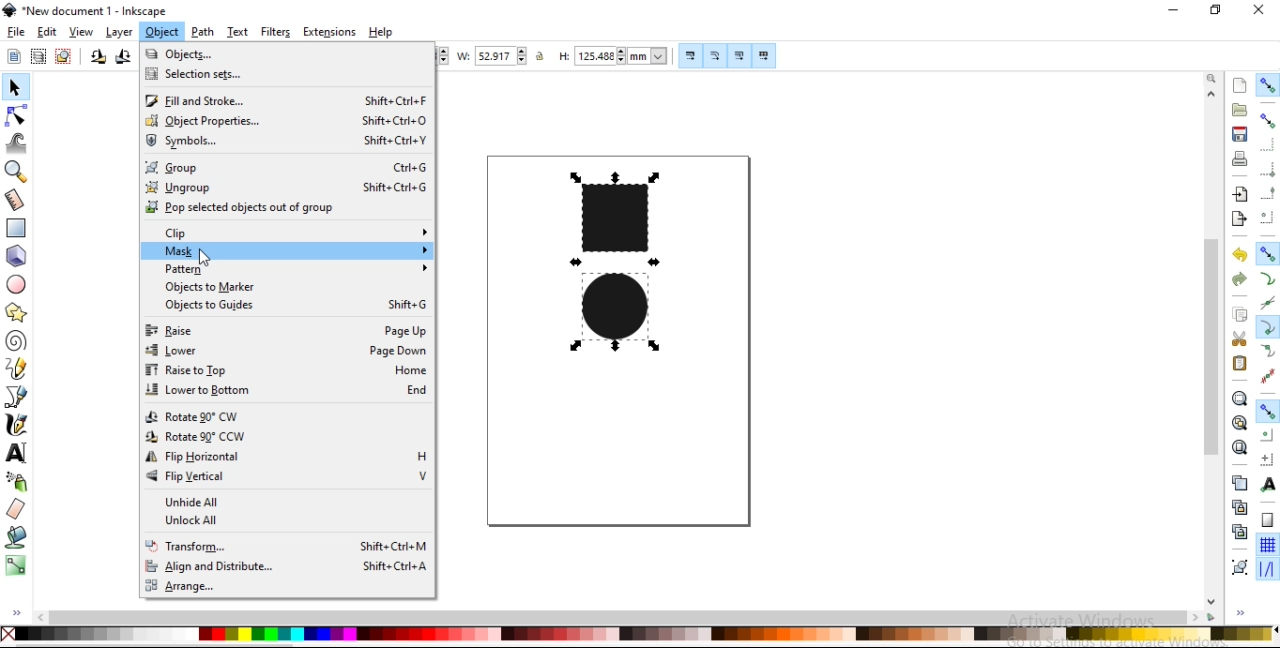 Image resolution: width=1280 pixels, height=648 pixels. I want to click on snap to grids, so click(1267, 544).